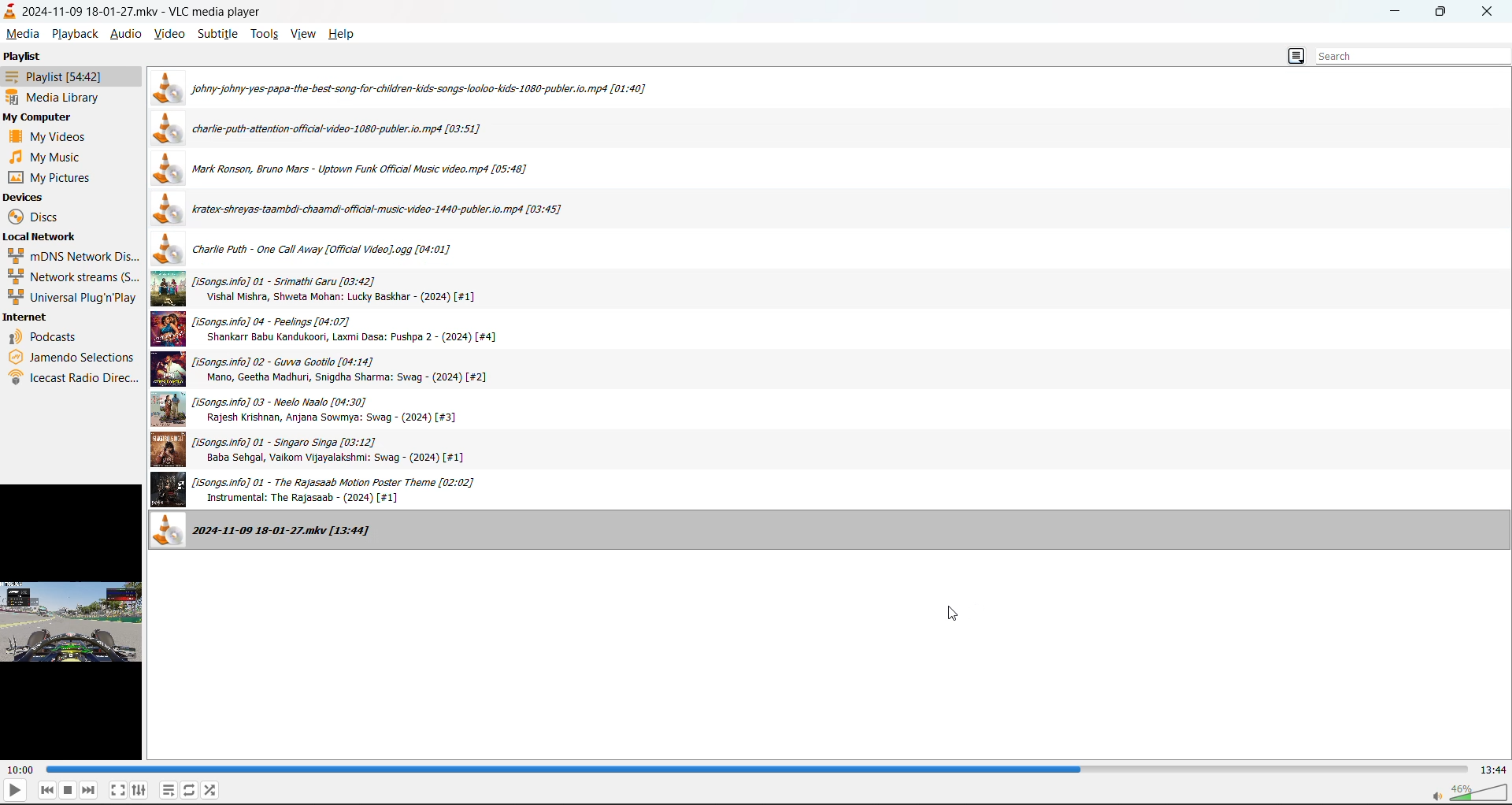  Describe the element at coordinates (64, 78) in the screenshot. I see `playlist` at that location.